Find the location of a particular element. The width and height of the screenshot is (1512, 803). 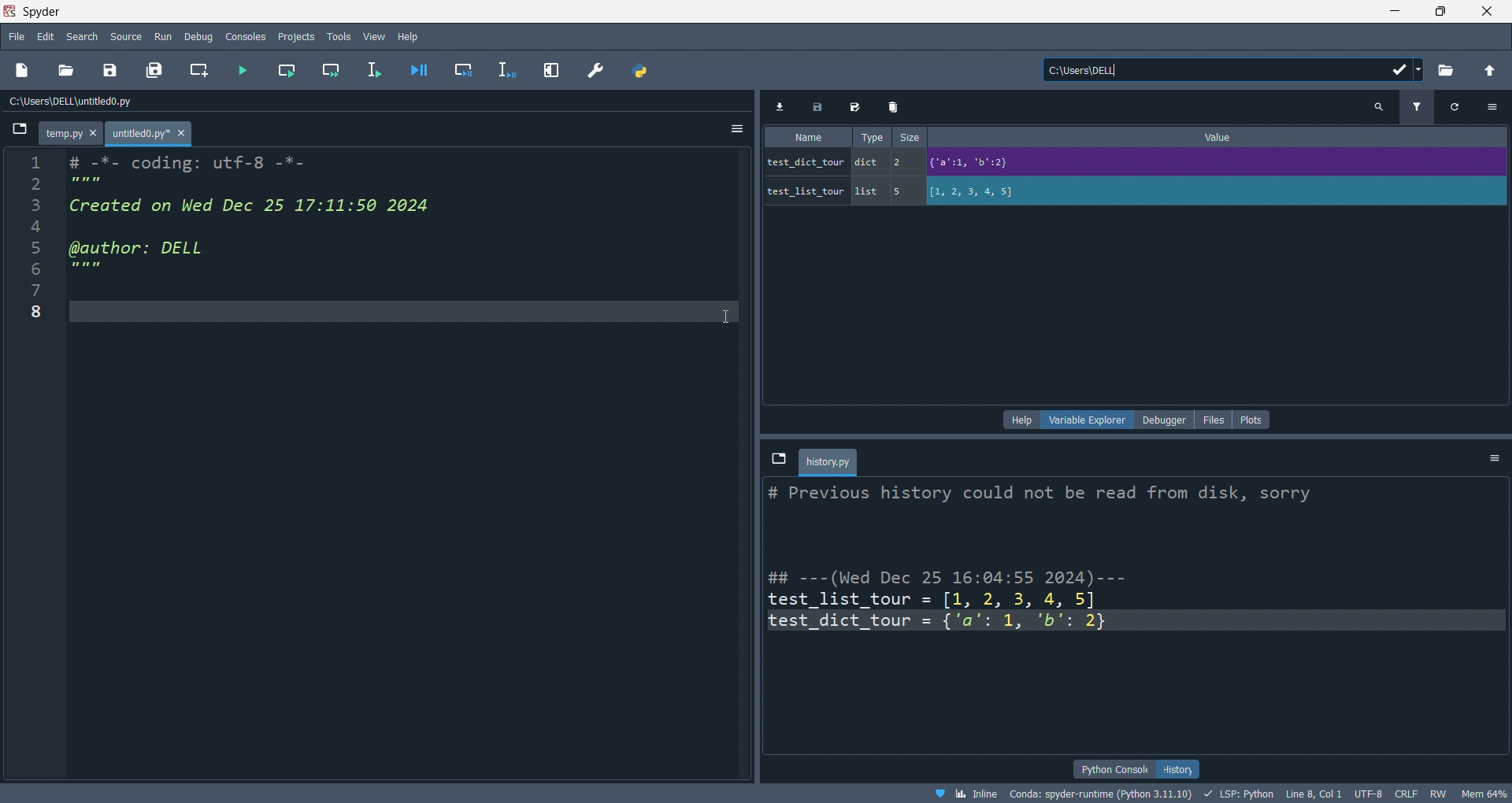

run cell is located at coordinates (285, 72).